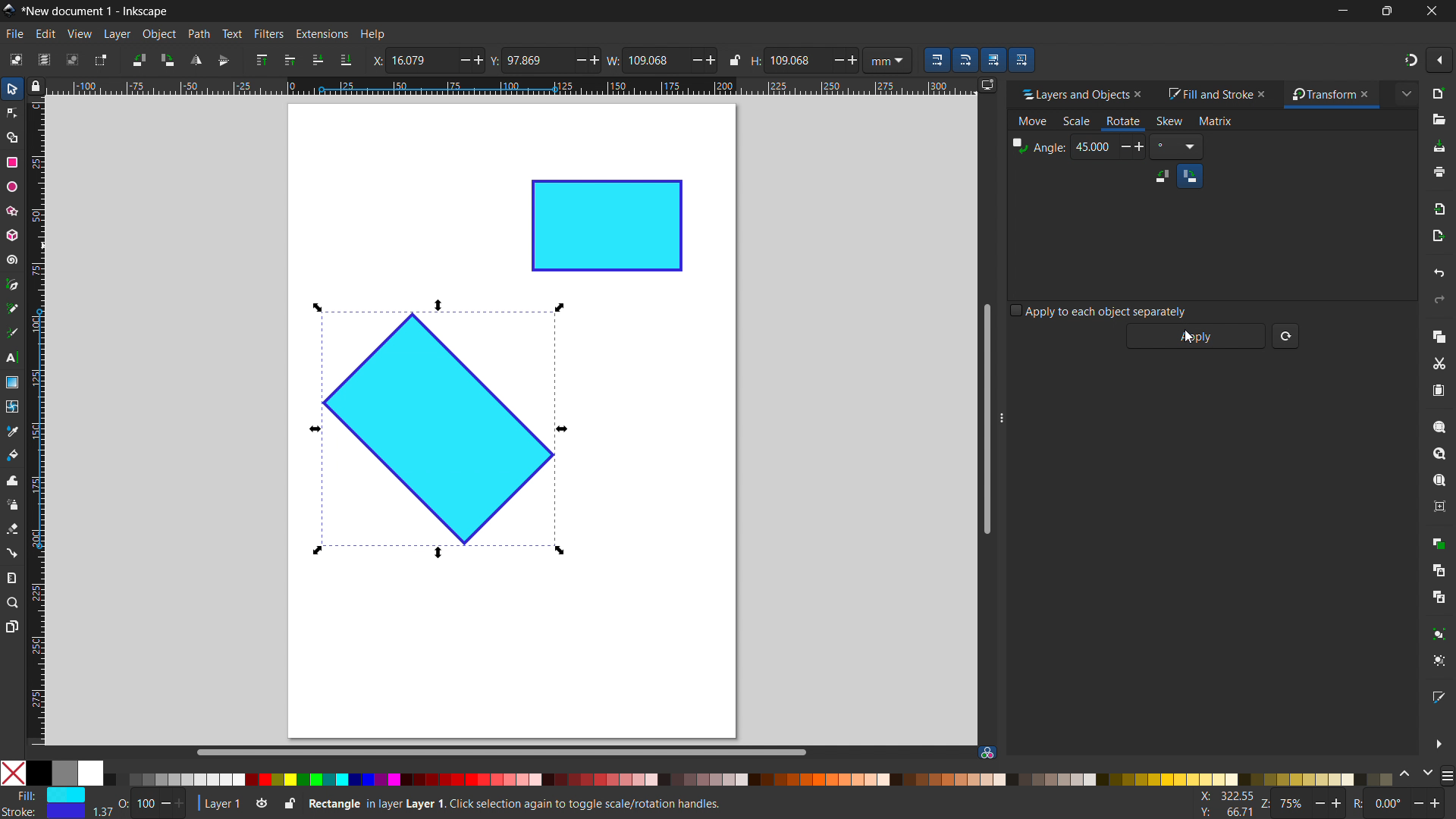  I want to click on flip horizontal, so click(195, 60).